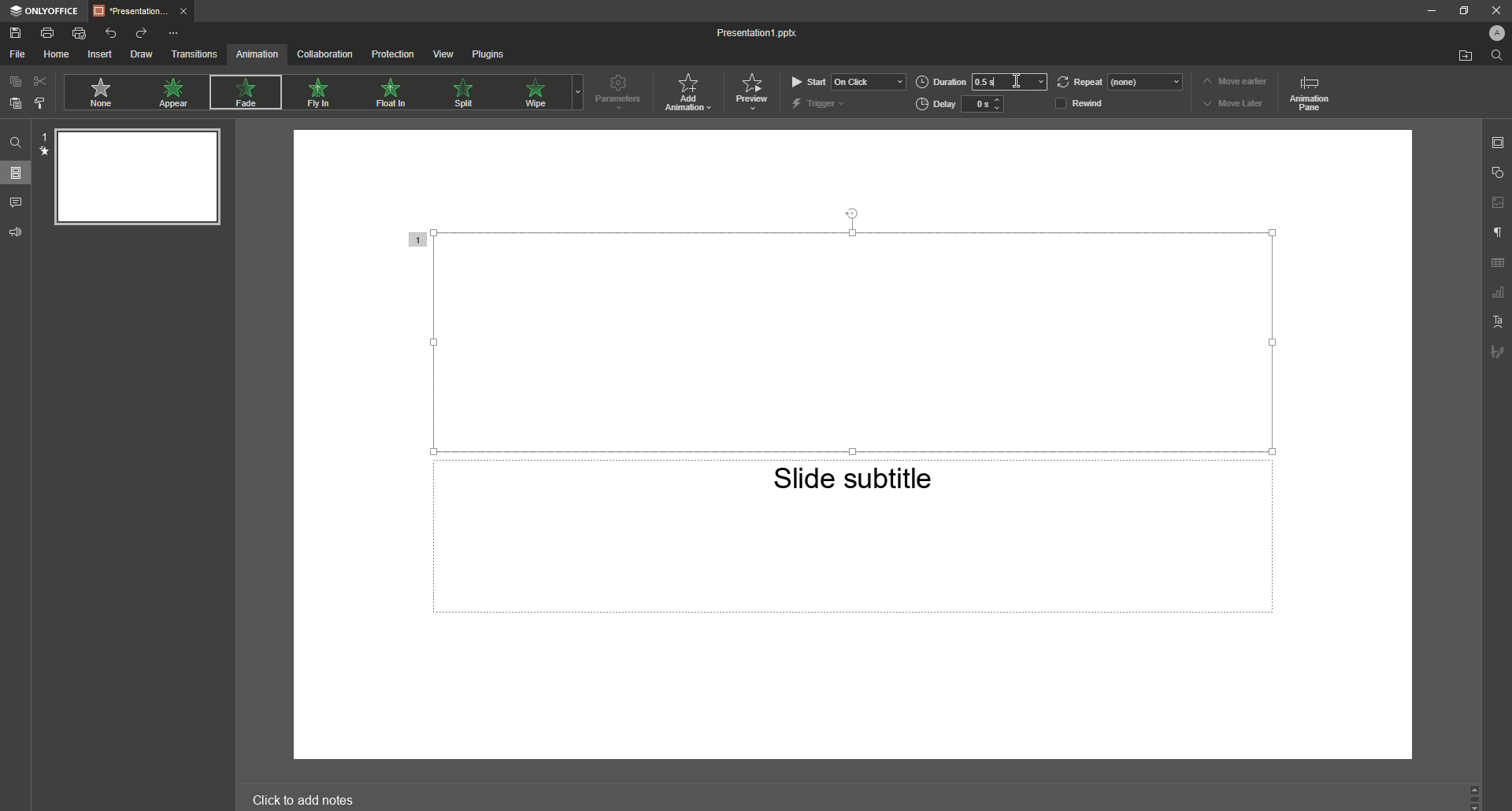 The height and width of the screenshot is (811, 1512). What do you see at coordinates (18, 145) in the screenshot?
I see `Find` at bounding box center [18, 145].